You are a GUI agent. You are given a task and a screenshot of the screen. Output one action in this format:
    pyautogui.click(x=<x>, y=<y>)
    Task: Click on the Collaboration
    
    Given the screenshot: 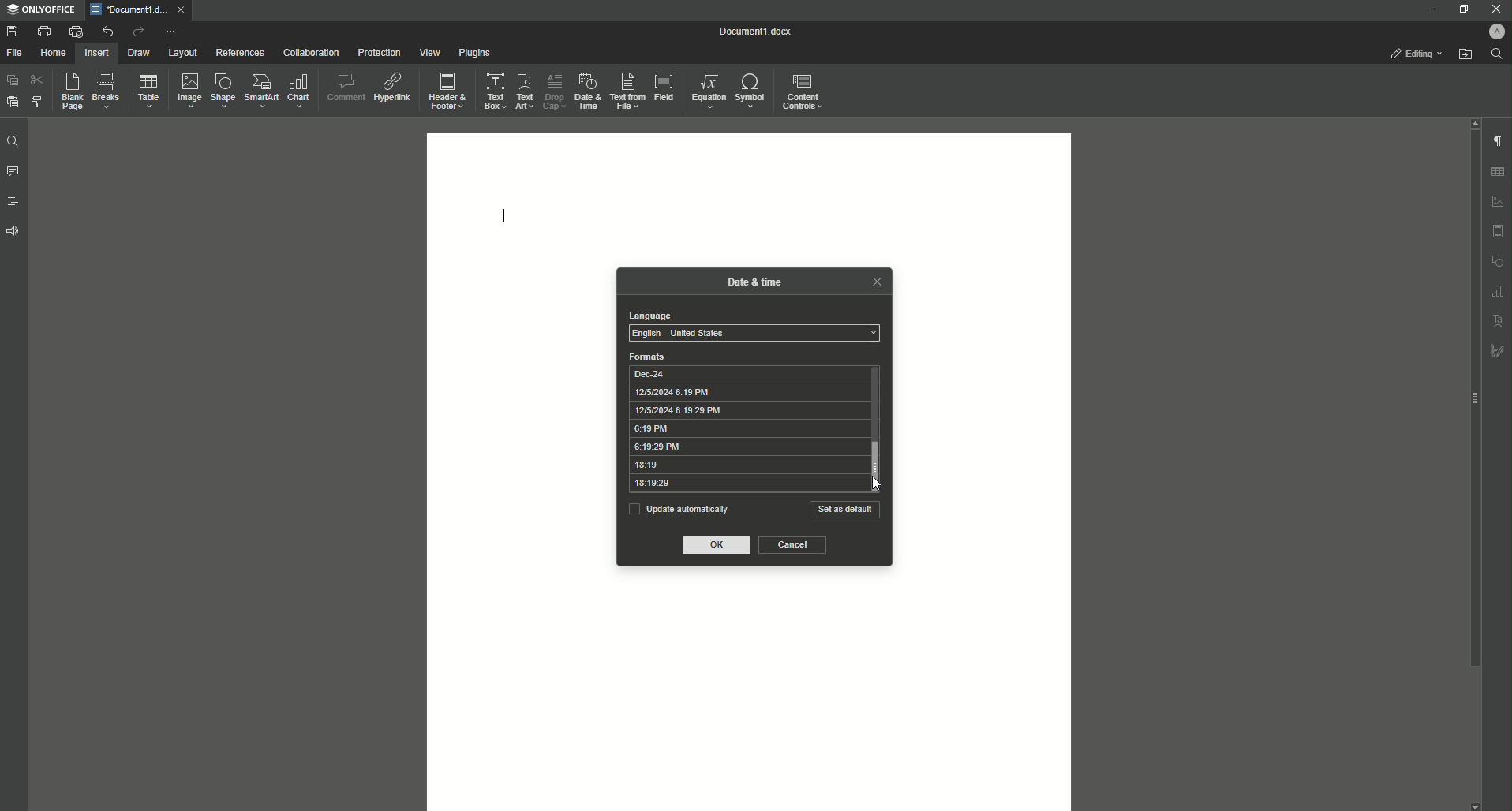 What is the action you would take?
    pyautogui.click(x=308, y=51)
    